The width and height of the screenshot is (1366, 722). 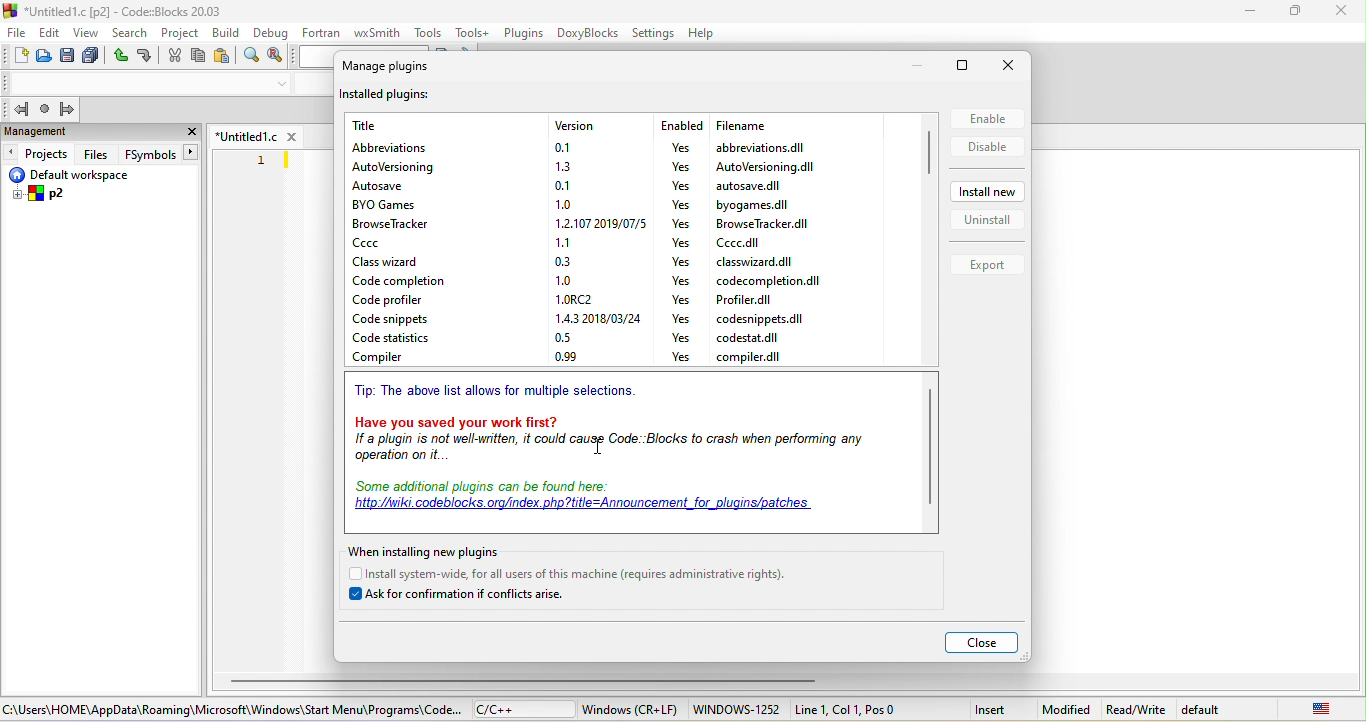 I want to click on autosave, so click(x=749, y=185).